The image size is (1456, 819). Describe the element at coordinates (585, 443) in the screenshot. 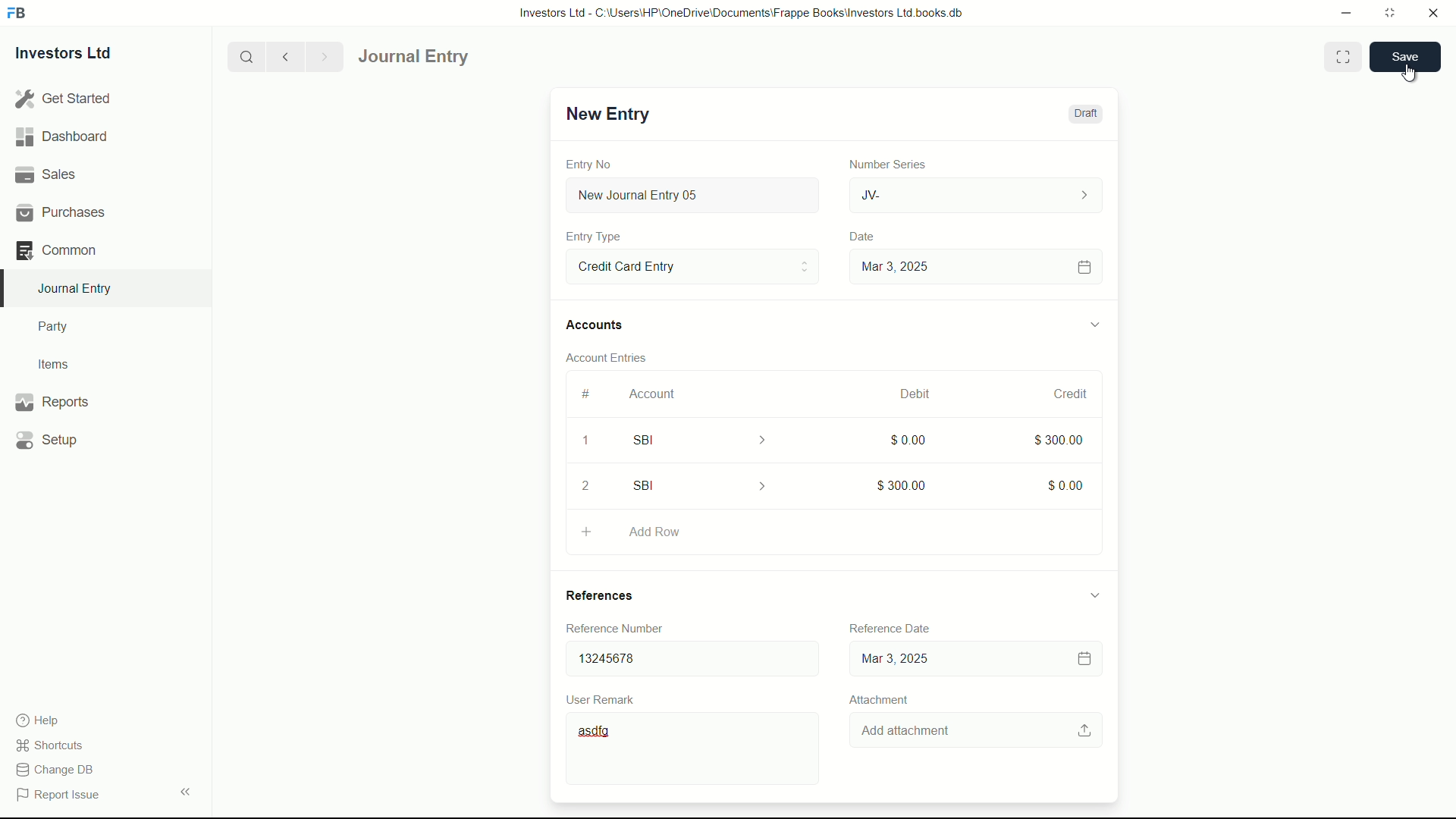

I see `1` at that location.